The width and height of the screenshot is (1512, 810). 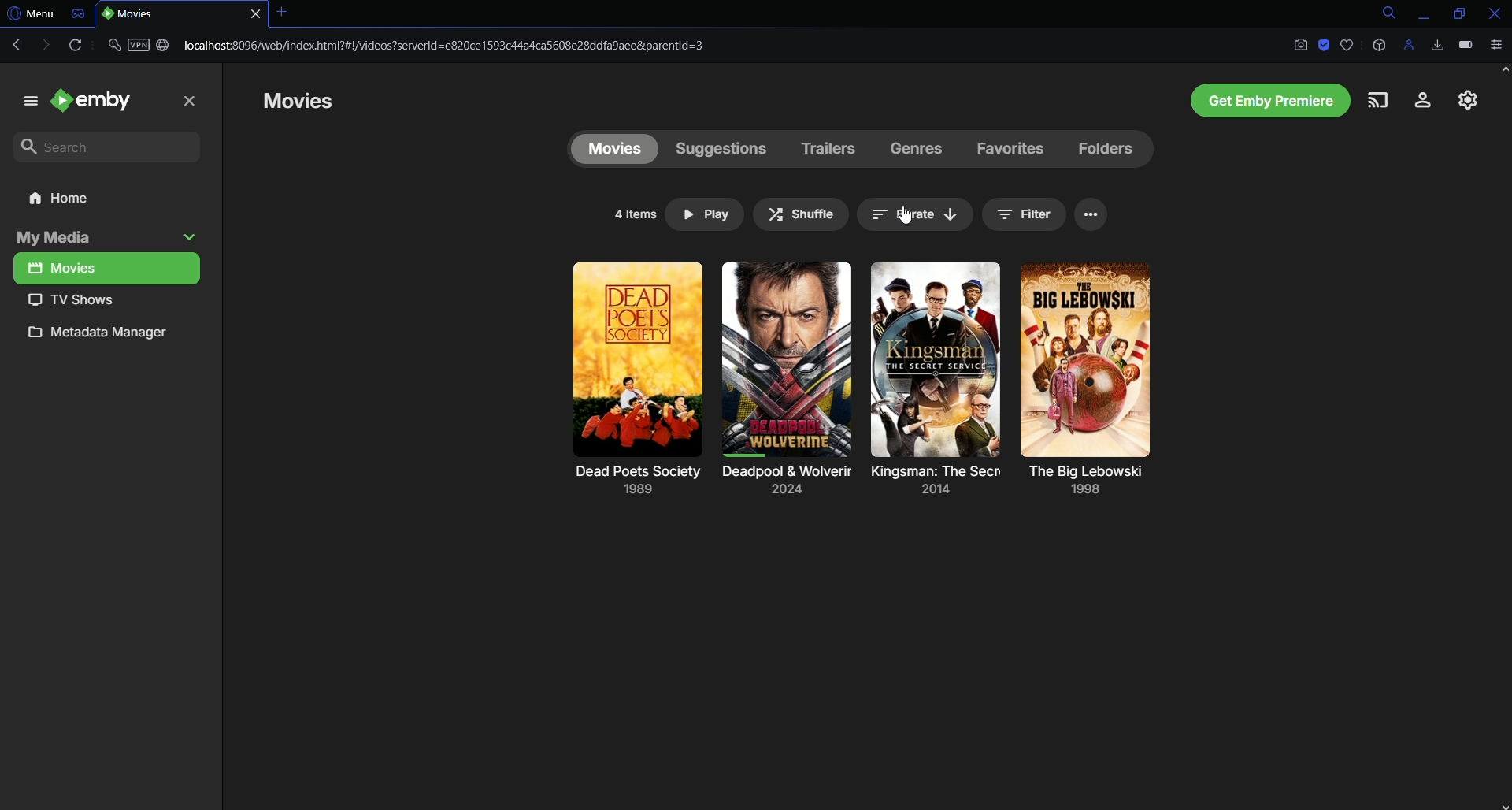 What do you see at coordinates (781, 485) in the screenshot?
I see `Deadpool and Wolverine` at bounding box center [781, 485].